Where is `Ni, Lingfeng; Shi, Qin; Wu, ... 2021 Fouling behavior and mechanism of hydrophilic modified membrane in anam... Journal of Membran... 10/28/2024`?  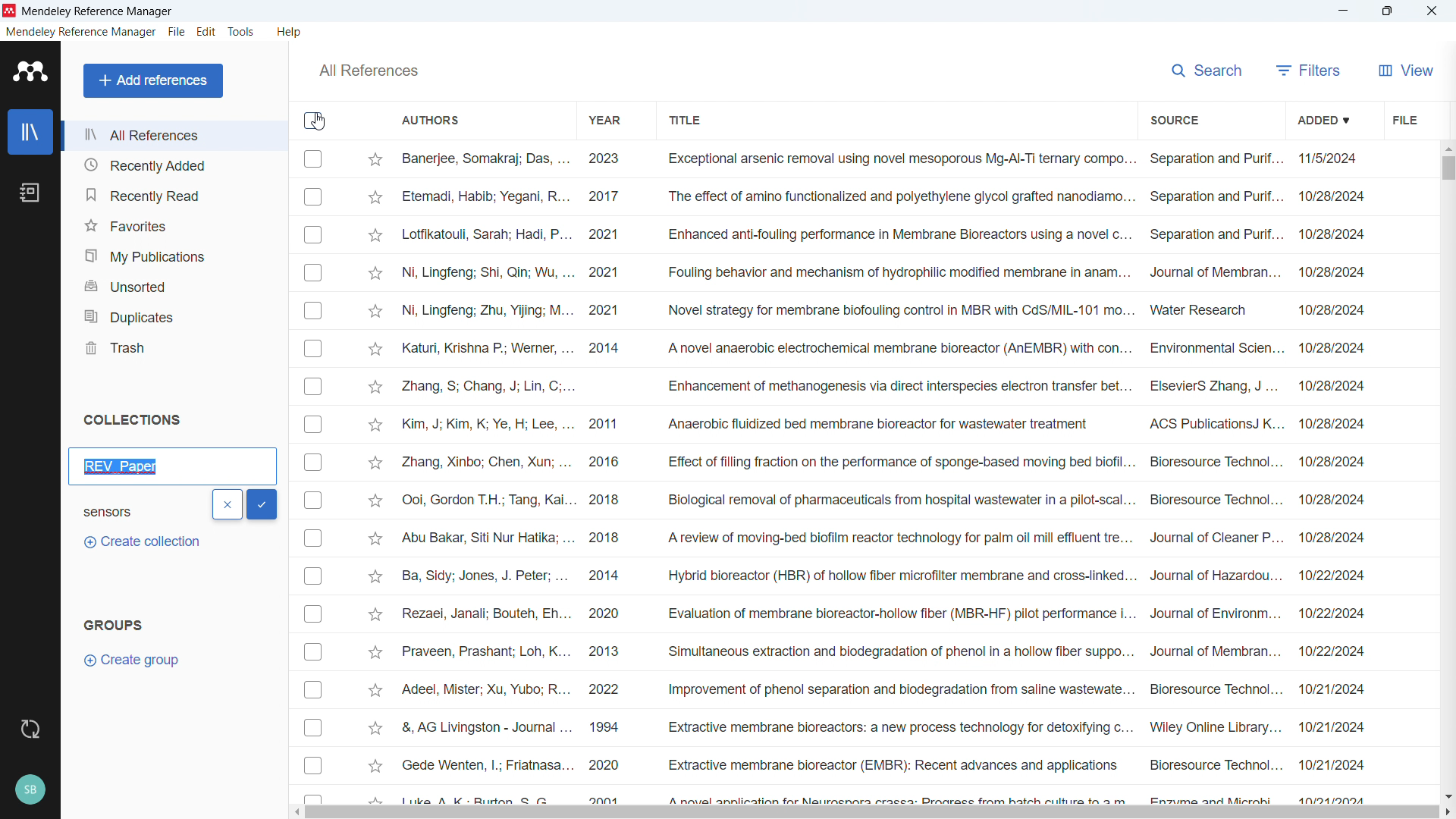 Ni, Lingfeng; Shi, Qin; Wu, ... 2021 Fouling behavior and mechanism of hydrophilic modified membrane in anam... Journal of Membran... 10/28/2024 is located at coordinates (886, 271).